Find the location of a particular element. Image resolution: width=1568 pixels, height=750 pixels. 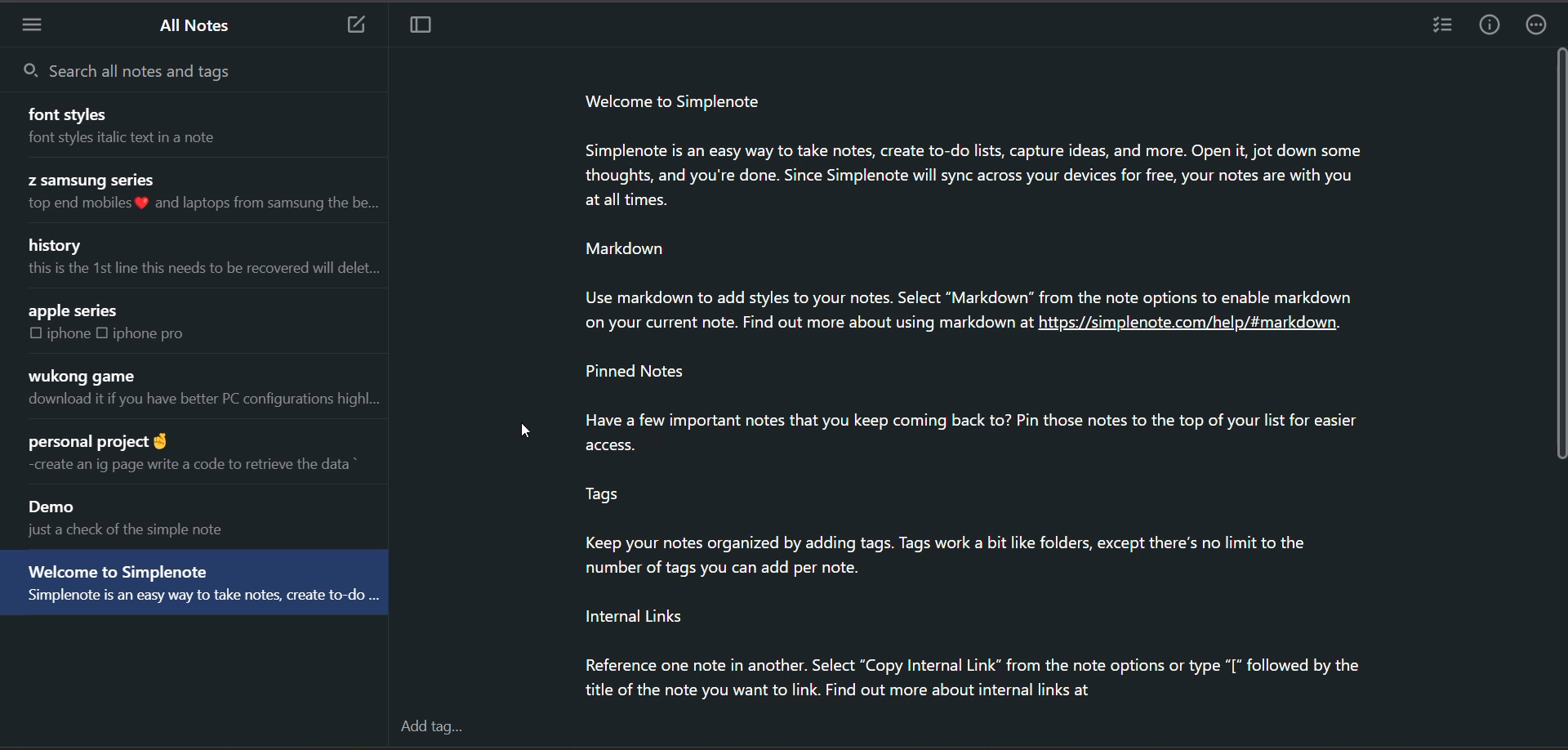

font styles italic text in a note is located at coordinates (153, 143).